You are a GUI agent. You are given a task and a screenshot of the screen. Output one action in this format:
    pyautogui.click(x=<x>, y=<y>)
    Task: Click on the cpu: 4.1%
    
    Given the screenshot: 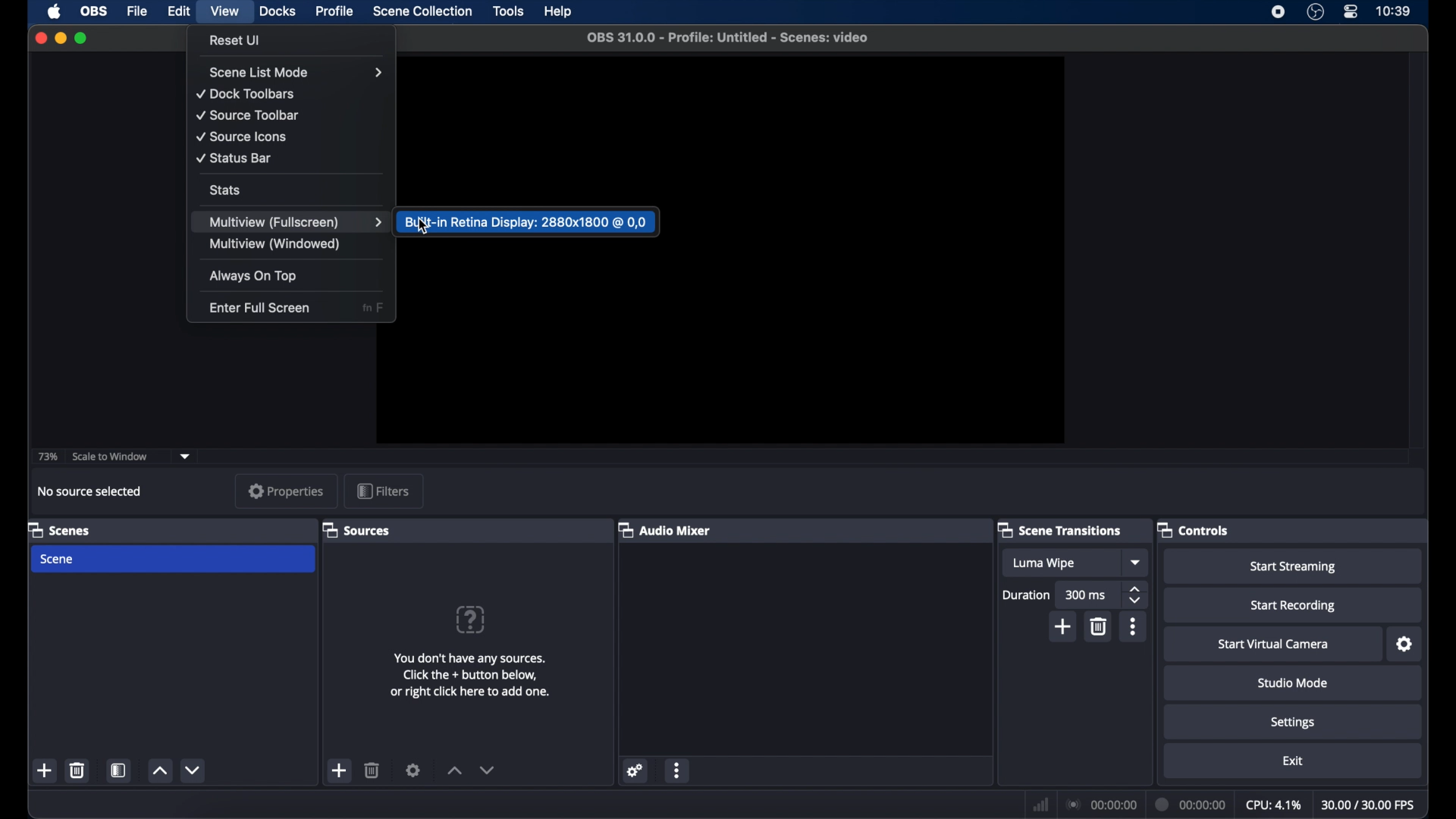 What is the action you would take?
    pyautogui.click(x=1272, y=805)
    